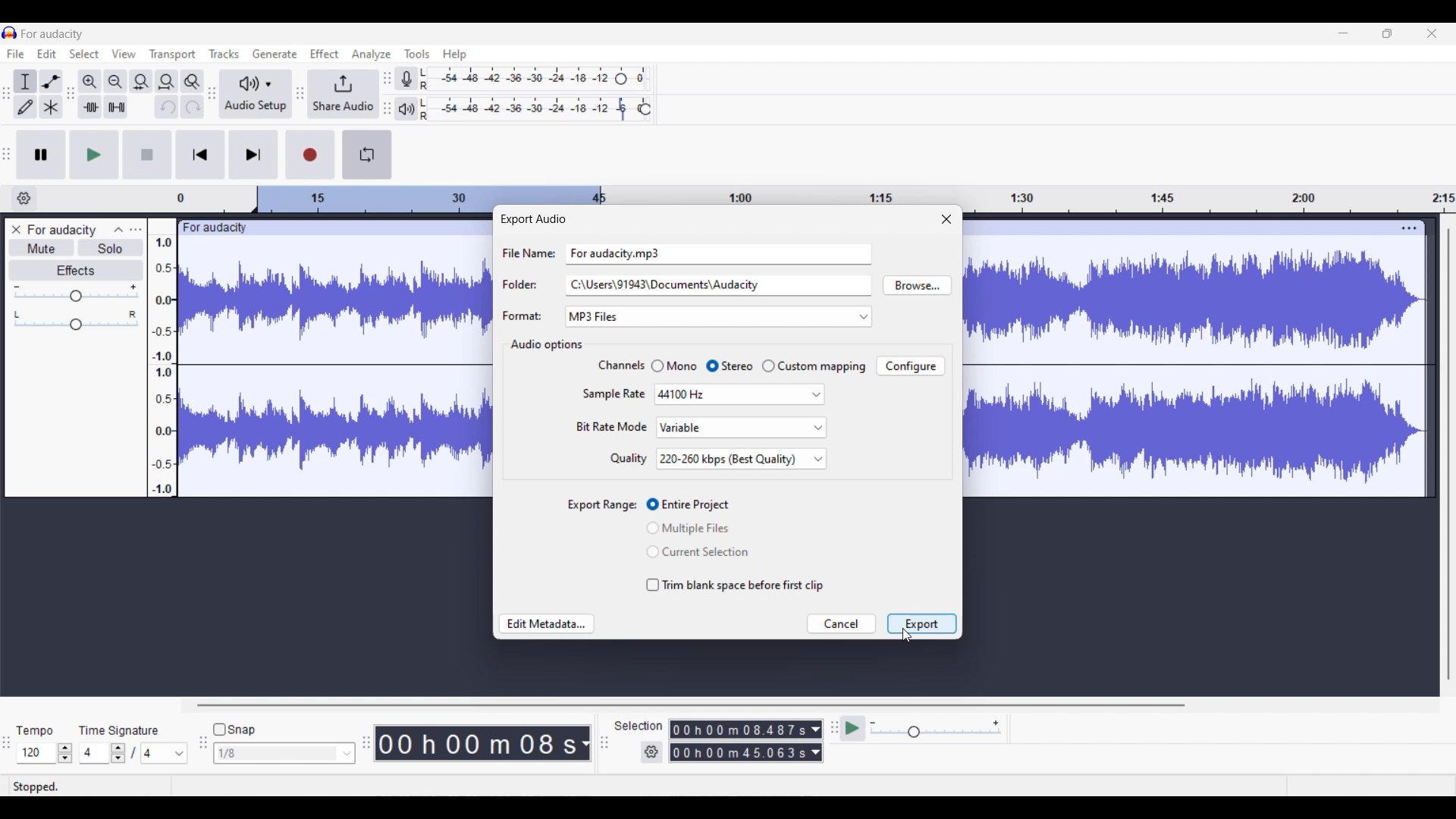 The image size is (1456, 819). What do you see at coordinates (115, 82) in the screenshot?
I see `Zoom out` at bounding box center [115, 82].